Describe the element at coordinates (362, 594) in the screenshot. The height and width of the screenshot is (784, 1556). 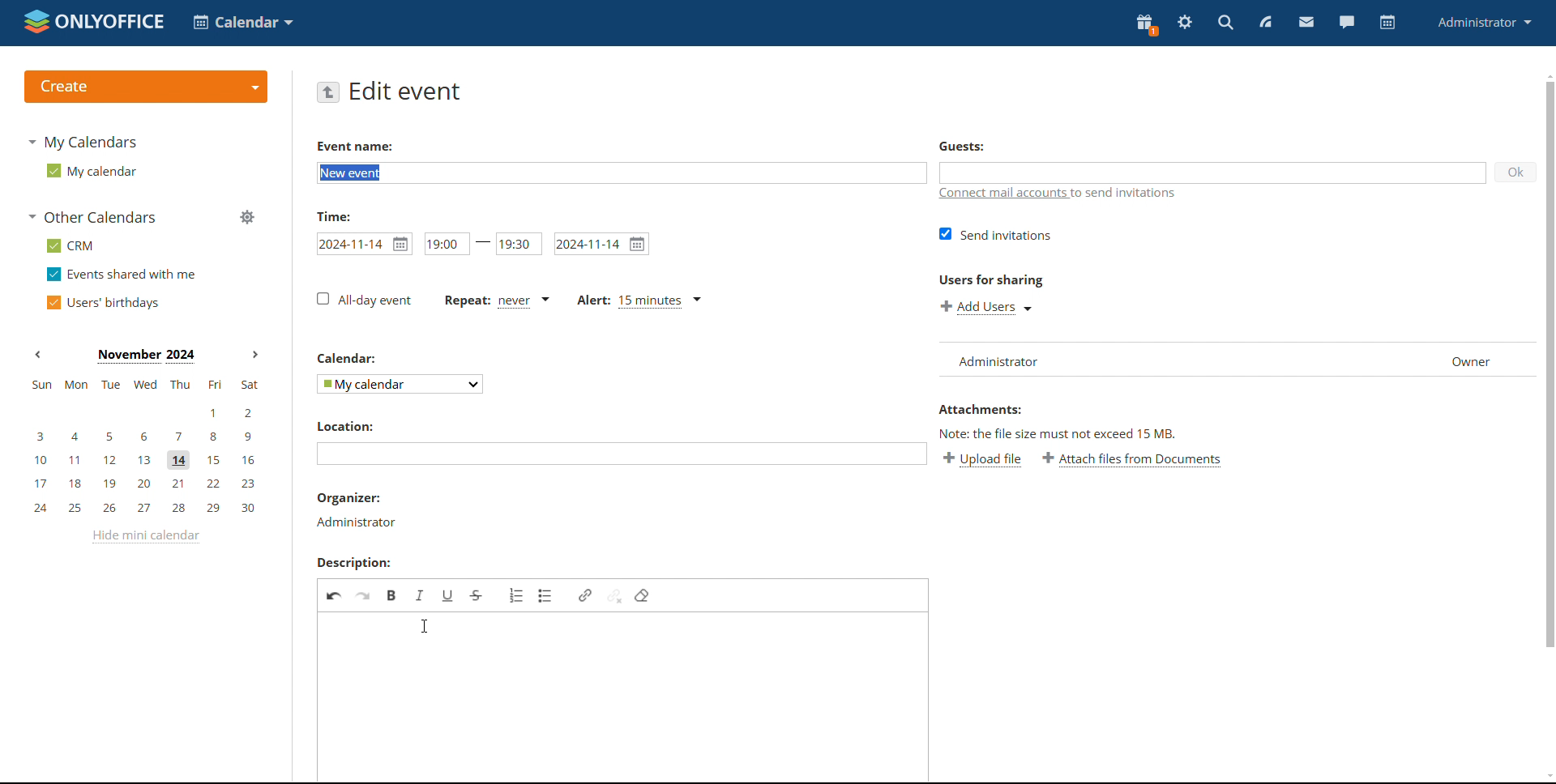
I see `redo` at that location.